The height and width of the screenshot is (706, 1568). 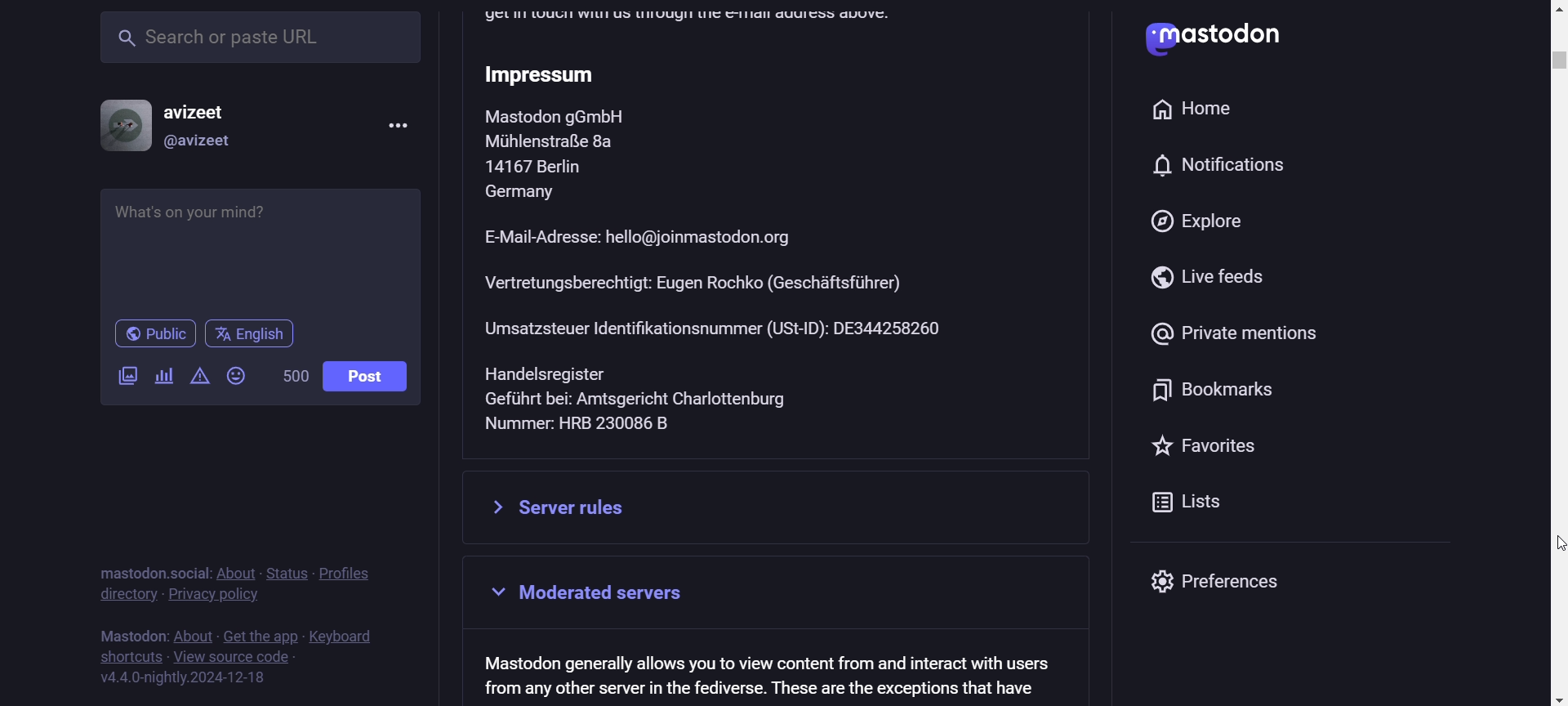 What do you see at coordinates (364, 377) in the screenshot?
I see `post` at bounding box center [364, 377].